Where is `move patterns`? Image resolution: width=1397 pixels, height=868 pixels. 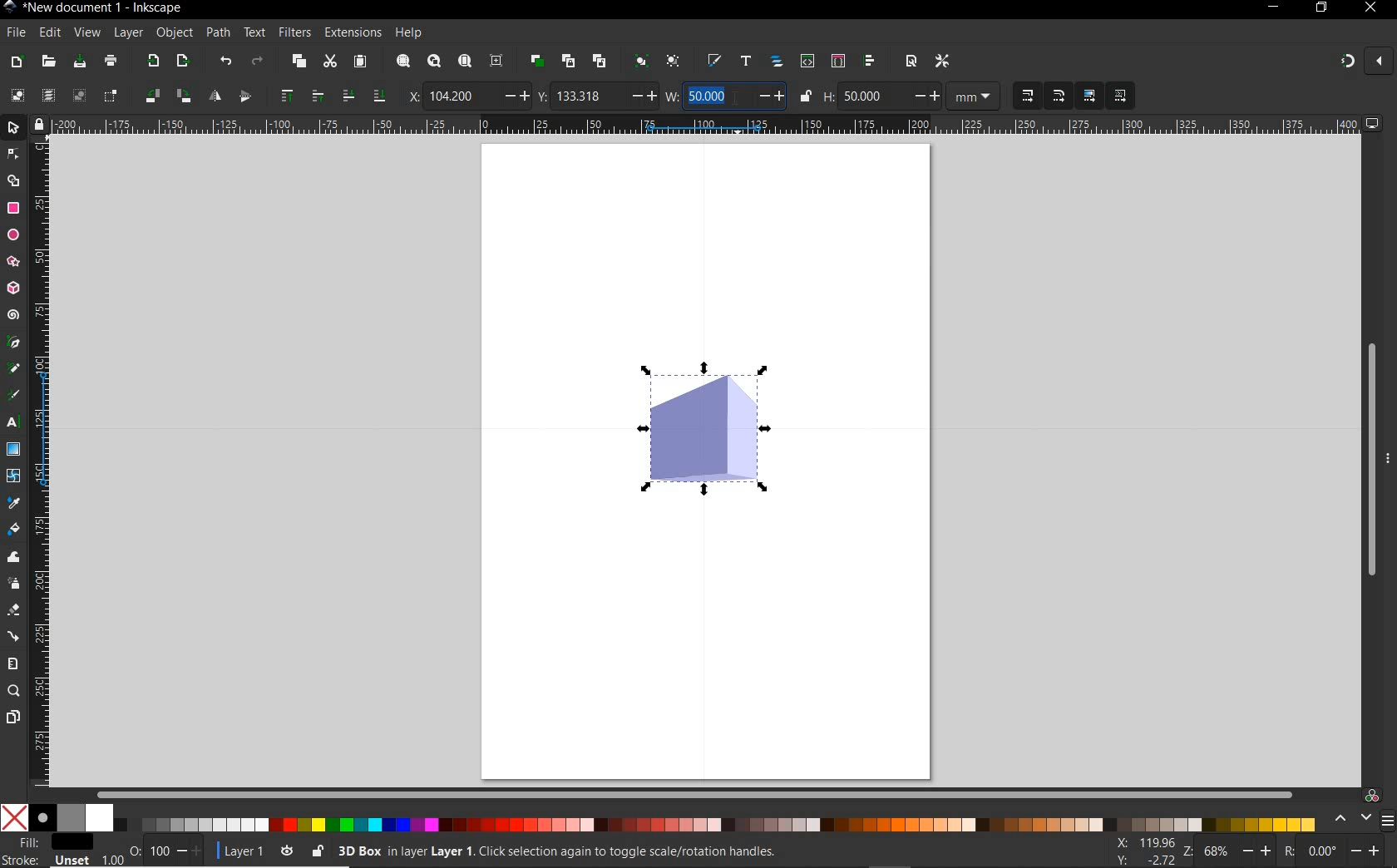
move patterns is located at coordinates (1118, 96).